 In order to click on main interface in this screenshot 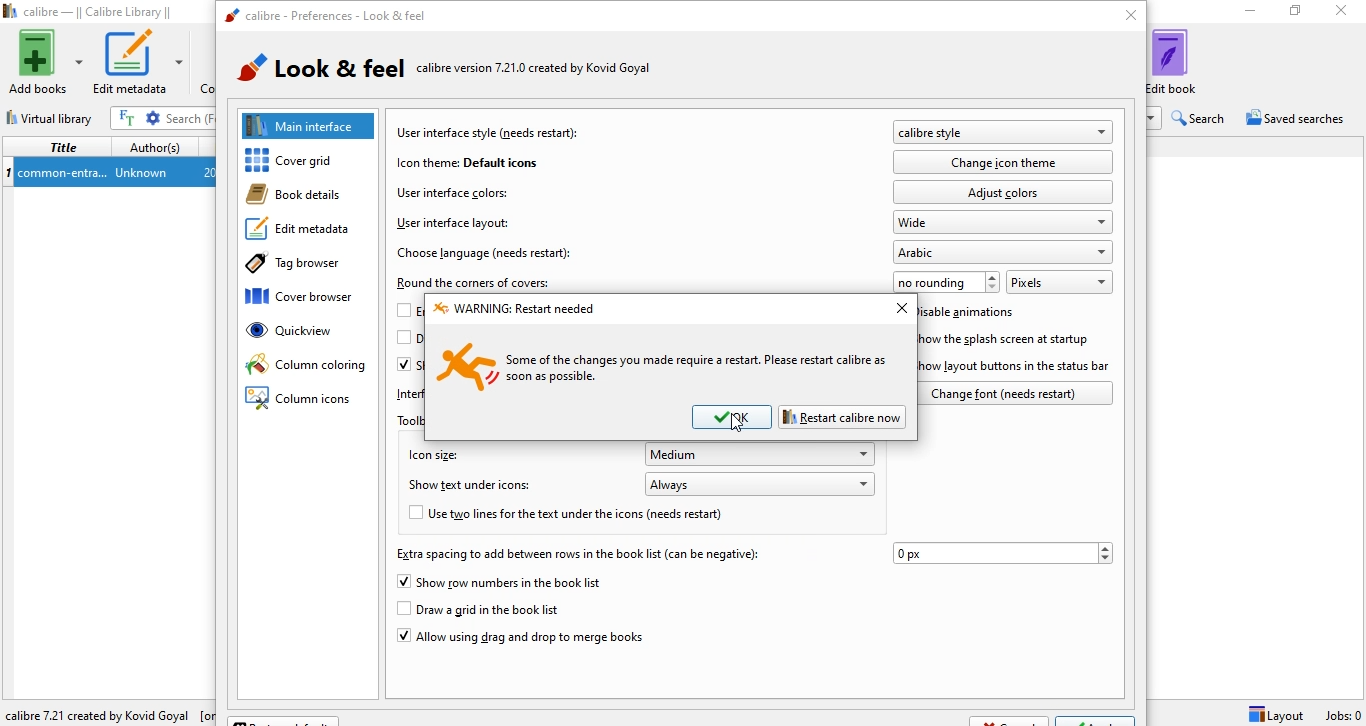, I will do `click(310, 125)`.